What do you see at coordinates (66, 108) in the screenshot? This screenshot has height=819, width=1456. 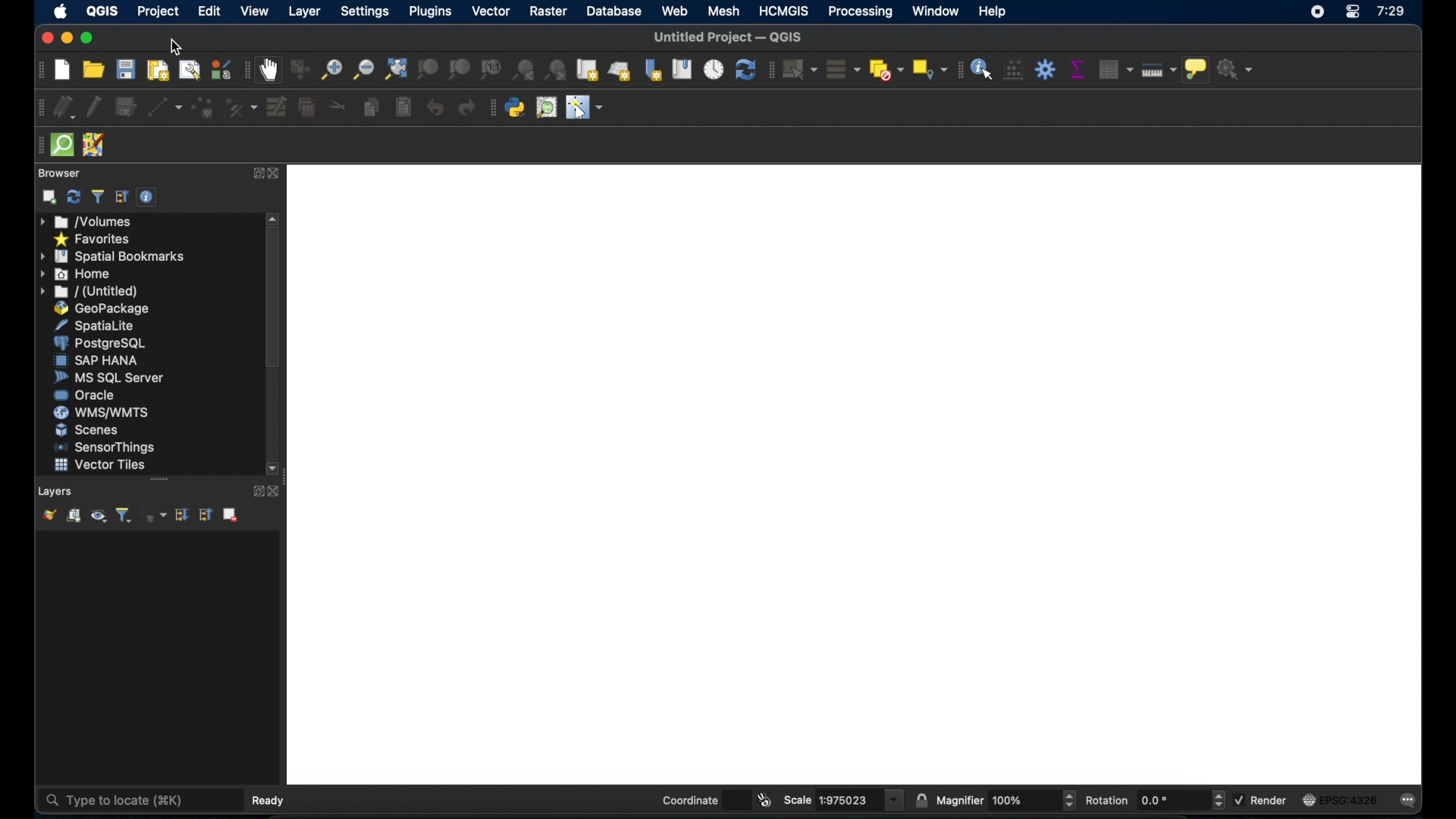 I see `current edits` at bounding box center [66, 108].